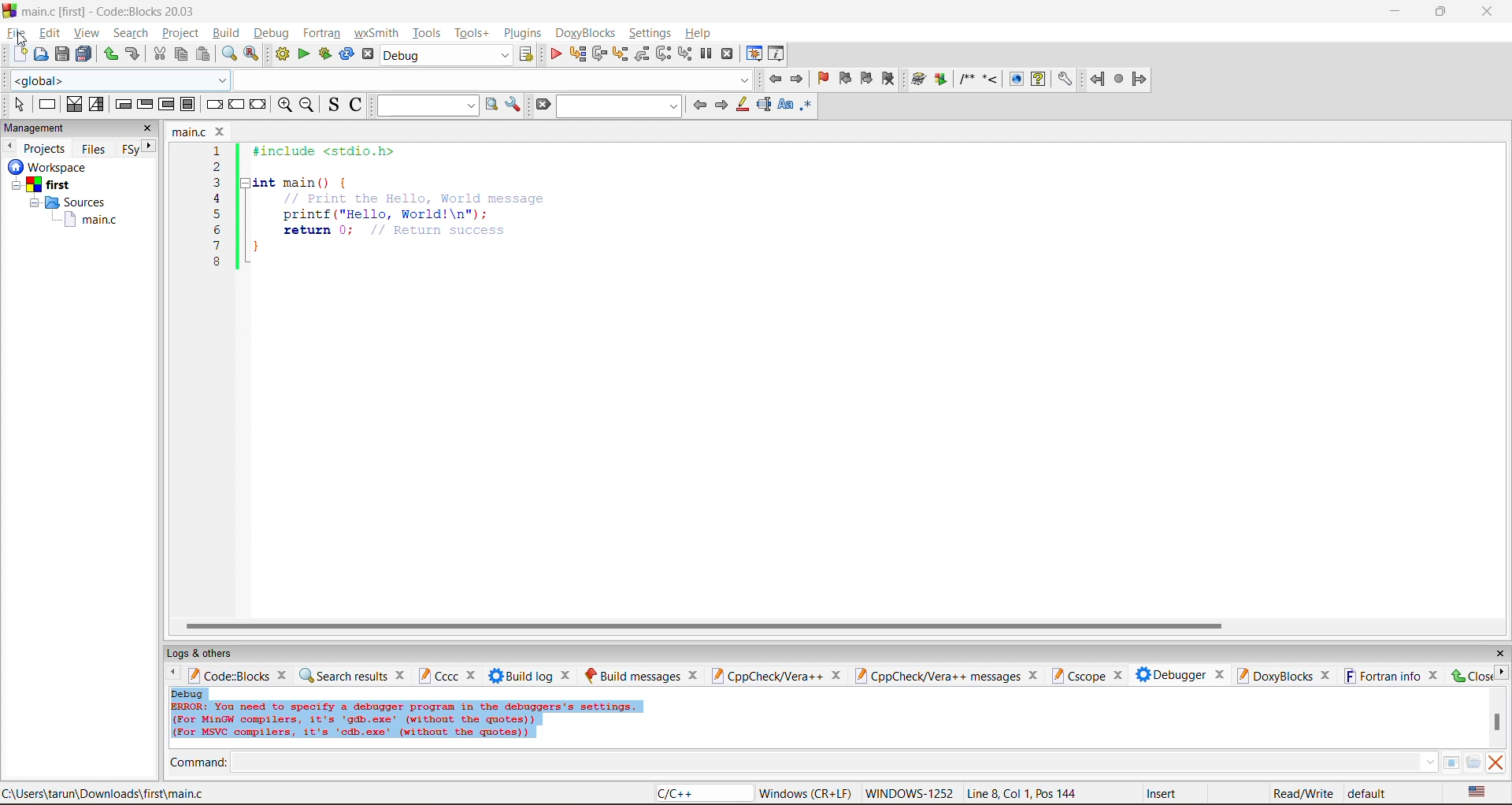 Image resolution: width=1512 pixels, height=805 pixels. What do you see at coordinates (19, 104) in the screenshot?
I see `select` at bounding box center [19, 104].